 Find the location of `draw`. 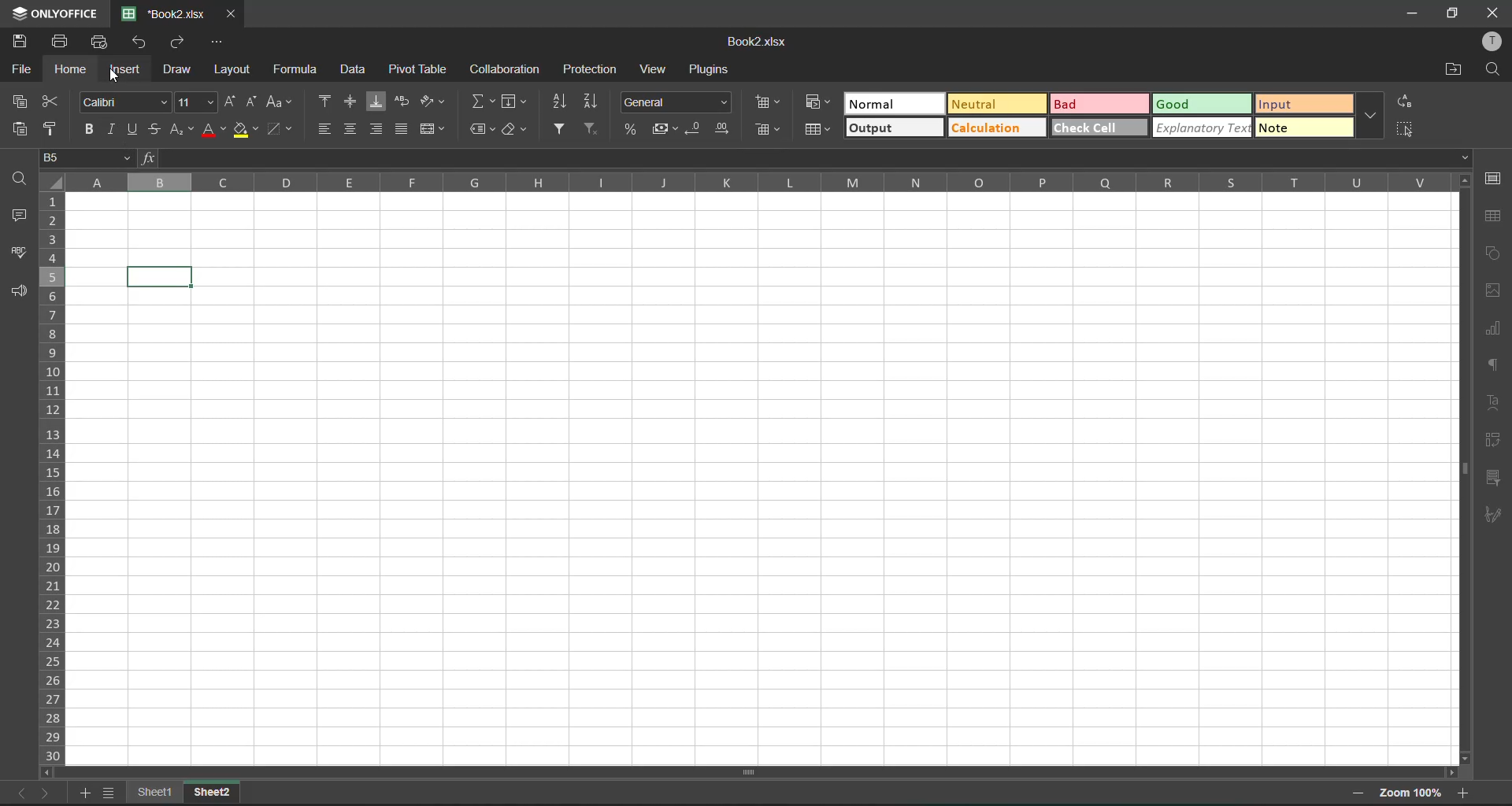

draw is located at coordinates (181, 68).